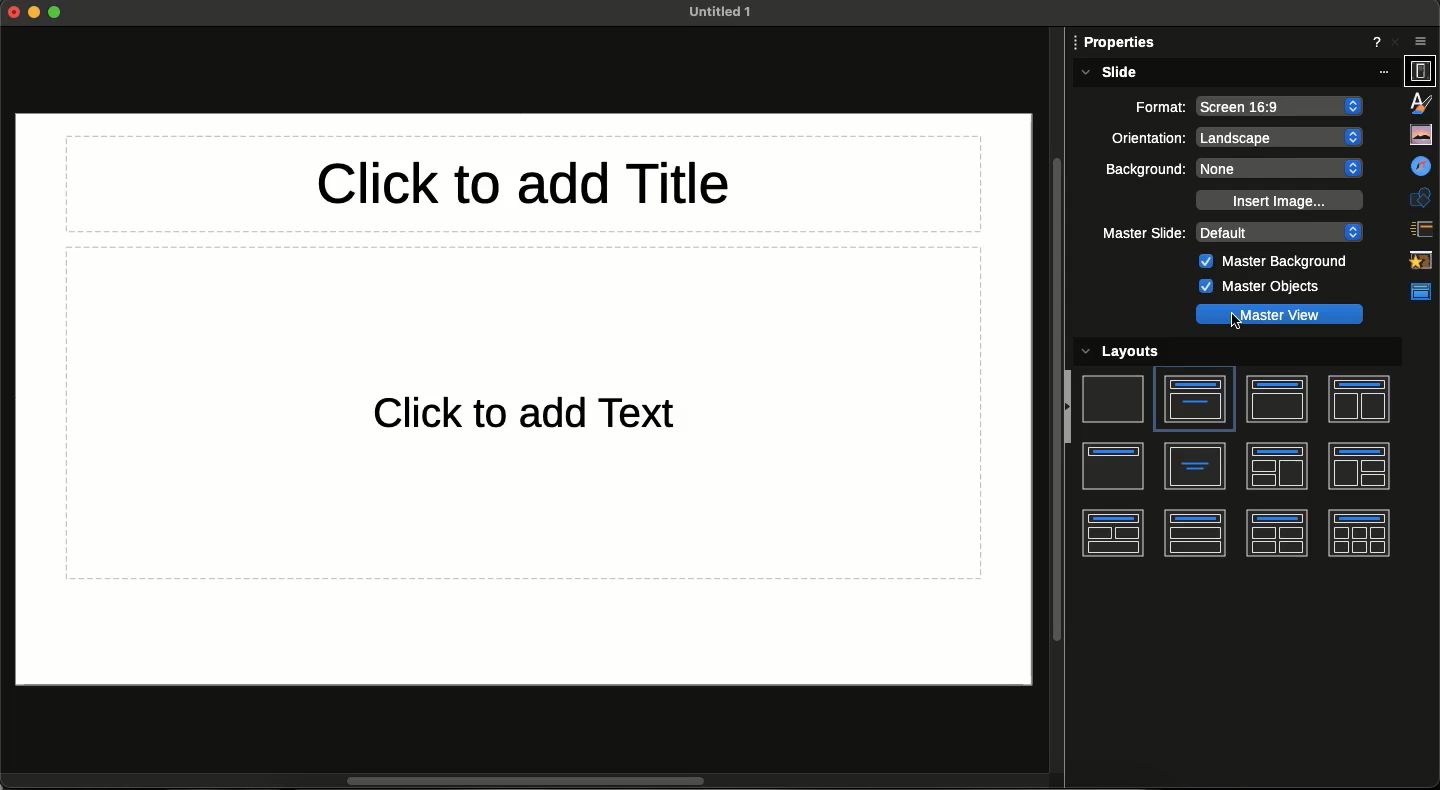  Describe the element at coordinates (1069, 411) in the screenshot. I see `Collapse` at that location.